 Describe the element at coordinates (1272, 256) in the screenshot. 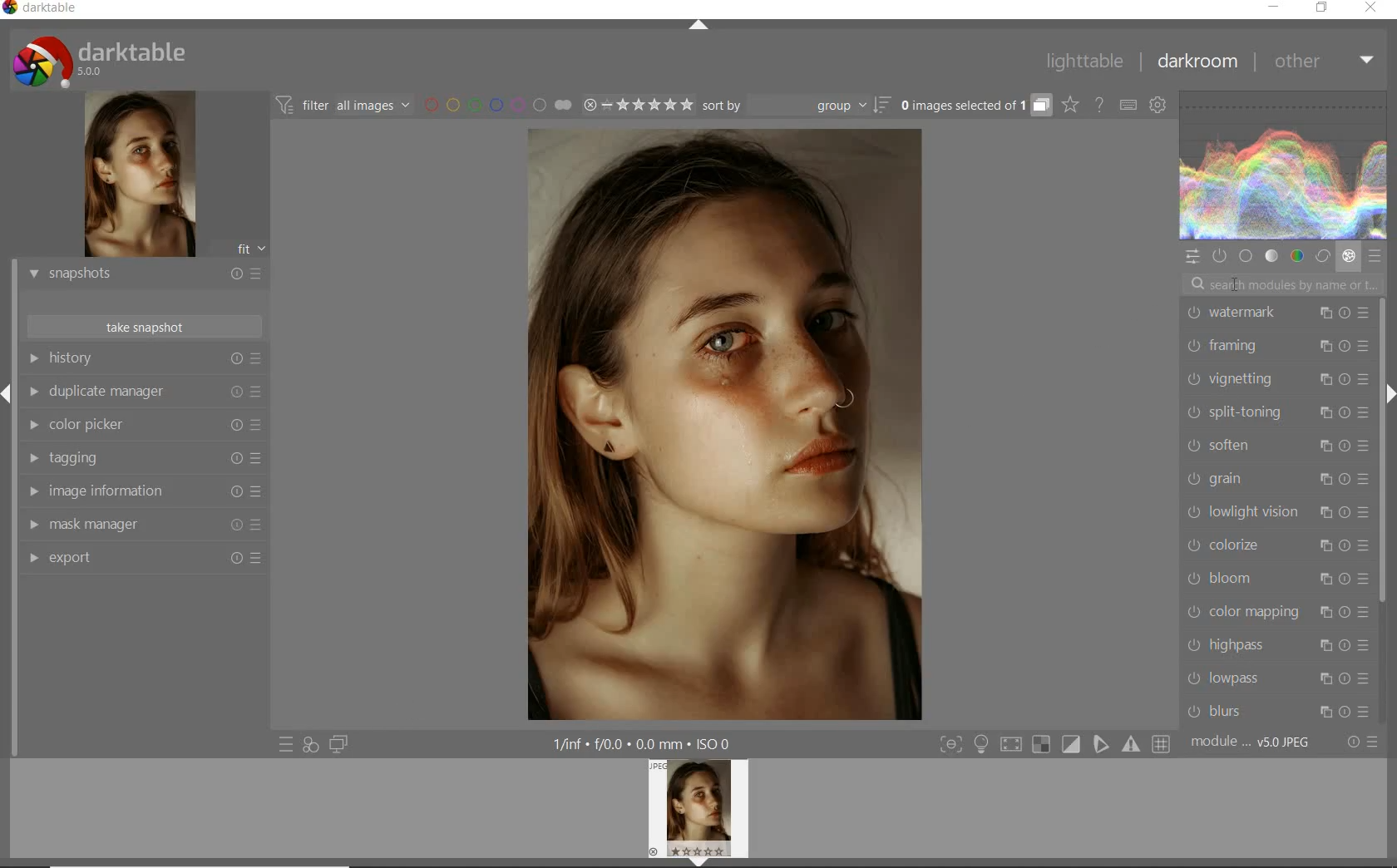

I see `tone` at that location.